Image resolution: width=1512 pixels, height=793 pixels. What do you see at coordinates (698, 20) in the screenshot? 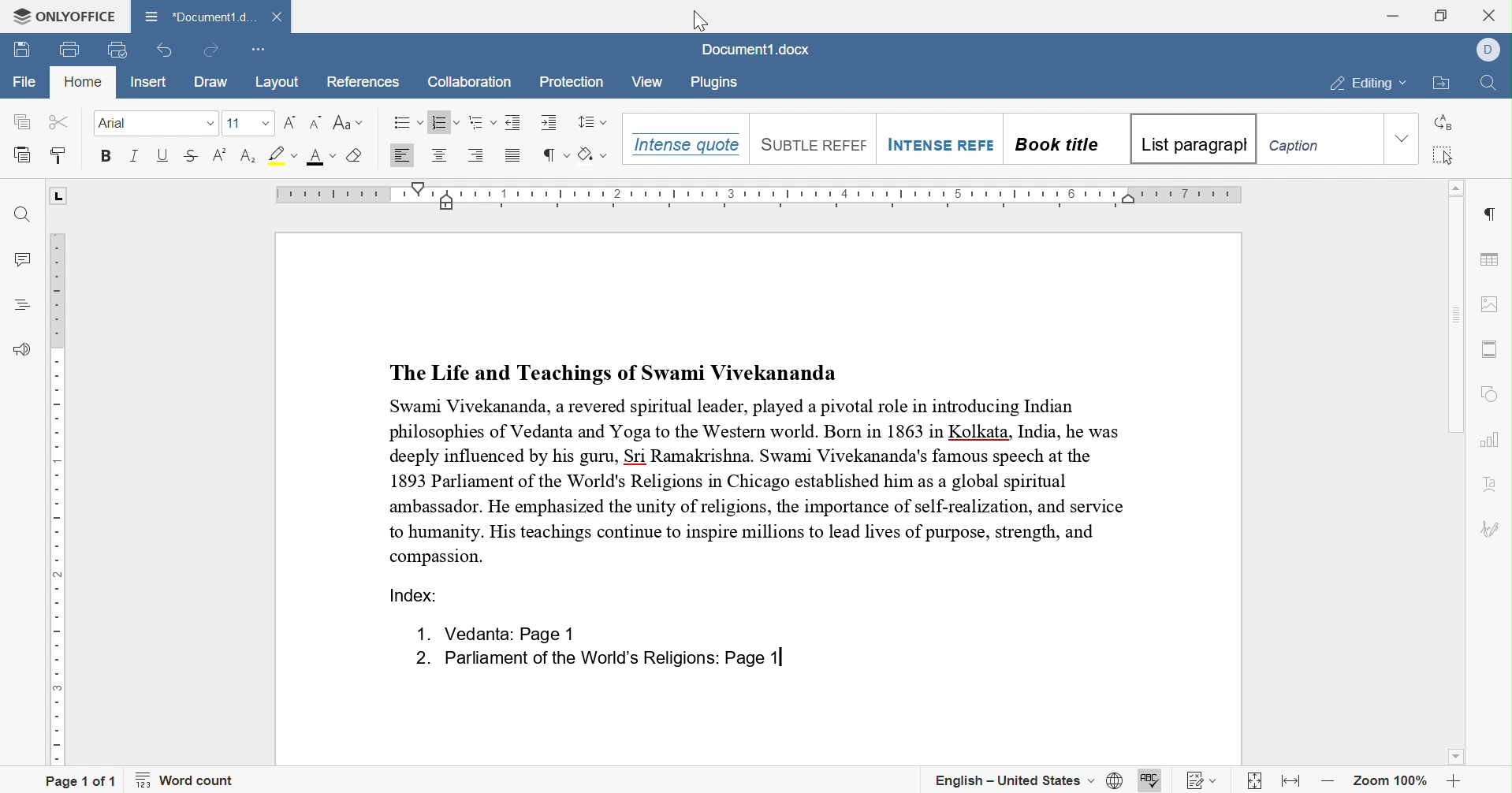
I see `cursor` at bounding box center [698, 20].